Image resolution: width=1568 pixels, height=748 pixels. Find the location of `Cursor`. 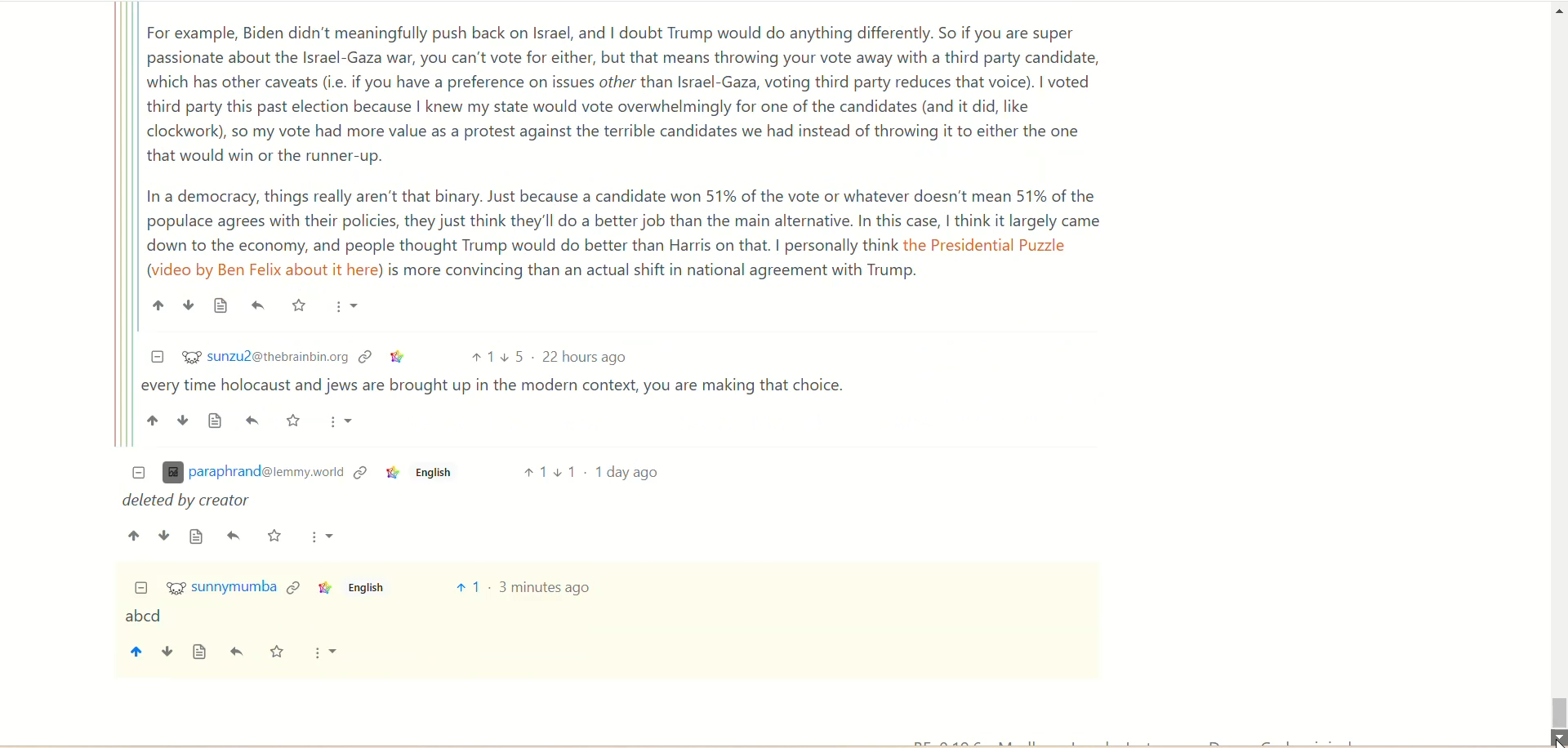

Cursor is located at coordinates (1552, 740).